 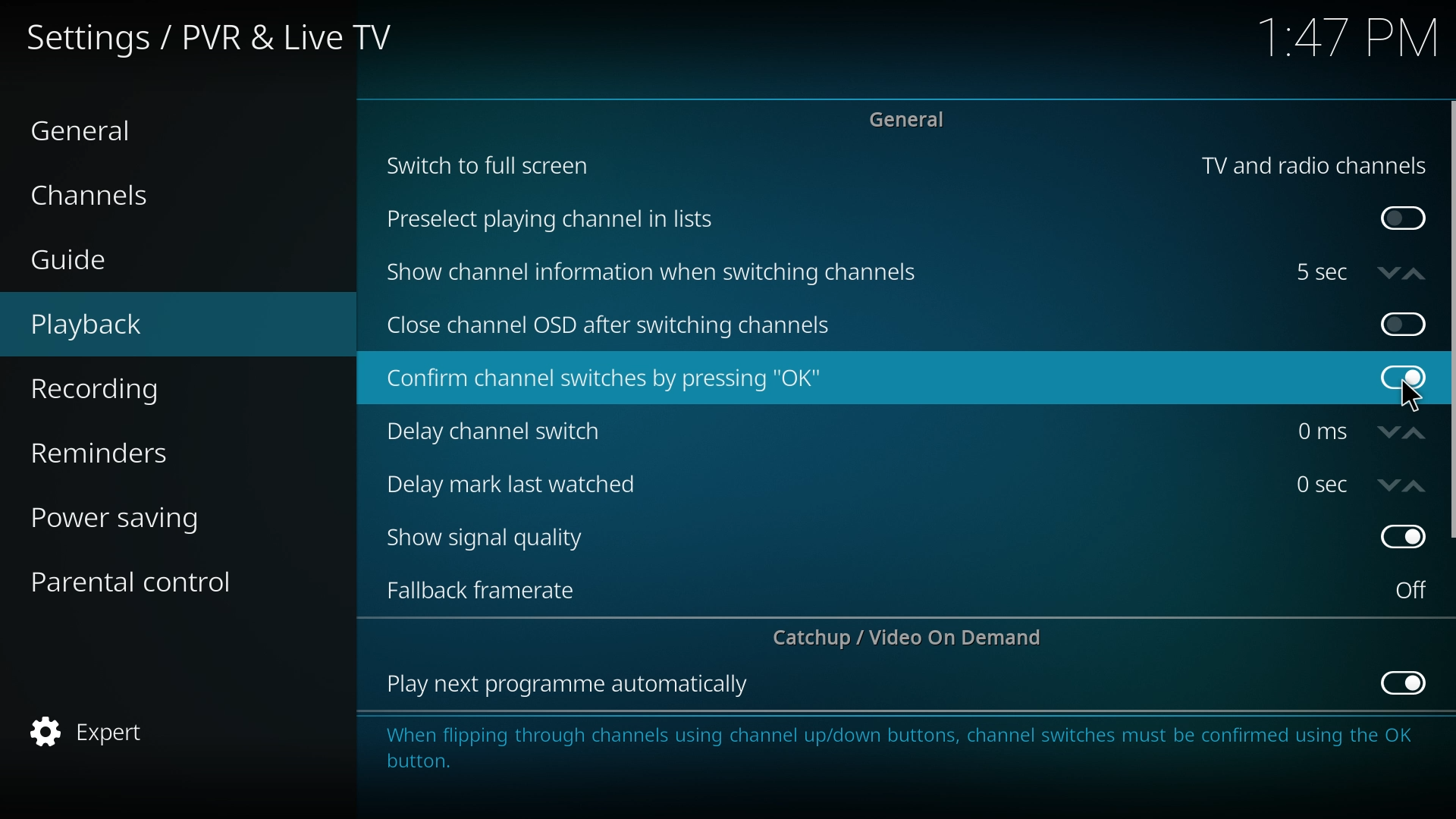 I want to click on switch to full screen, so click(x=490, y=164).